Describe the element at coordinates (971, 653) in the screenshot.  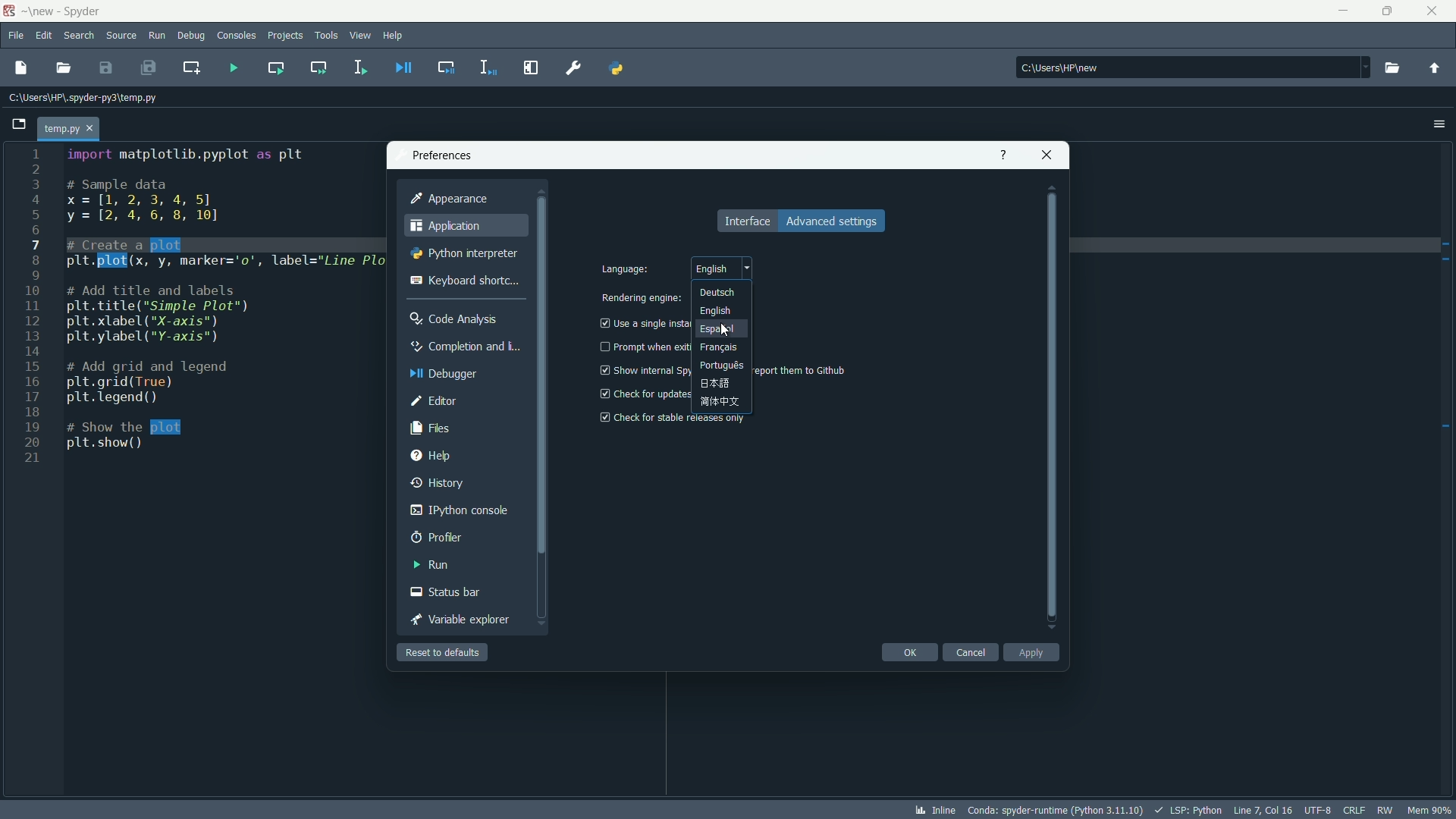
I see `cancel` at that location.